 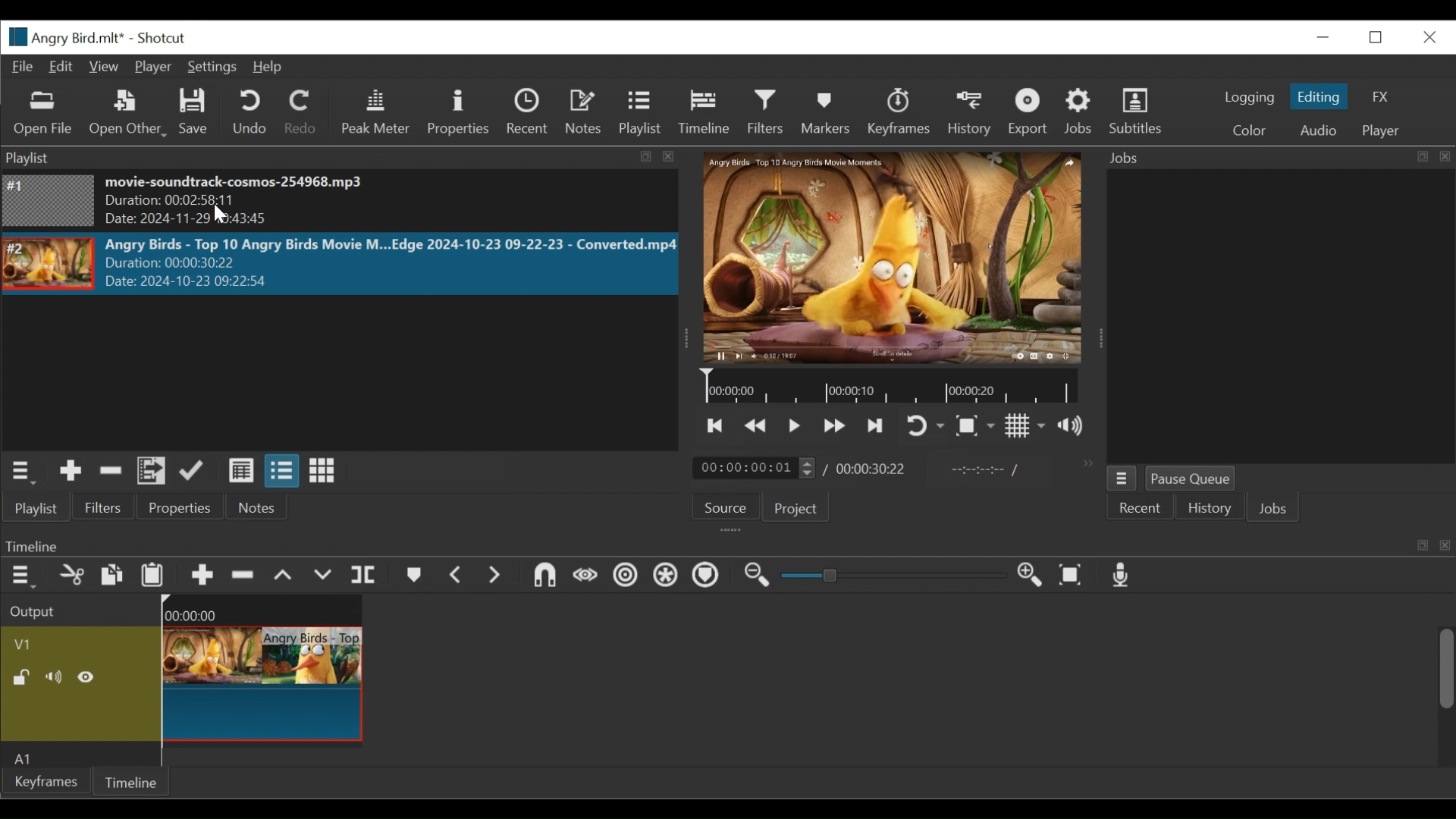 What do you see at coordinates (201, 576) in the screenshot?
I see `Append` at bounding box center [201, 576].